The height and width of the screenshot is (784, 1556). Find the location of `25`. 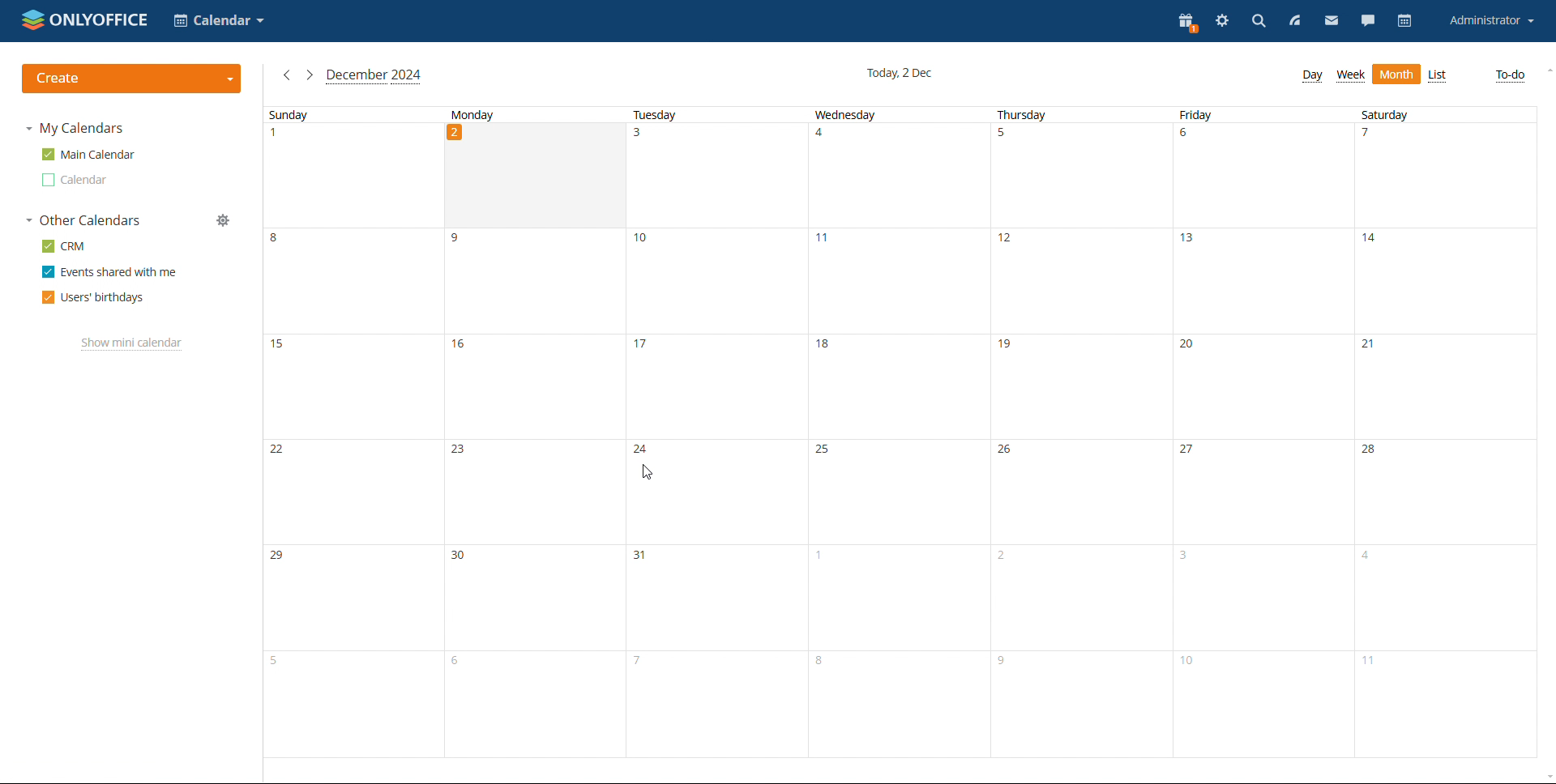

25 is located at coordinates (822, 450).